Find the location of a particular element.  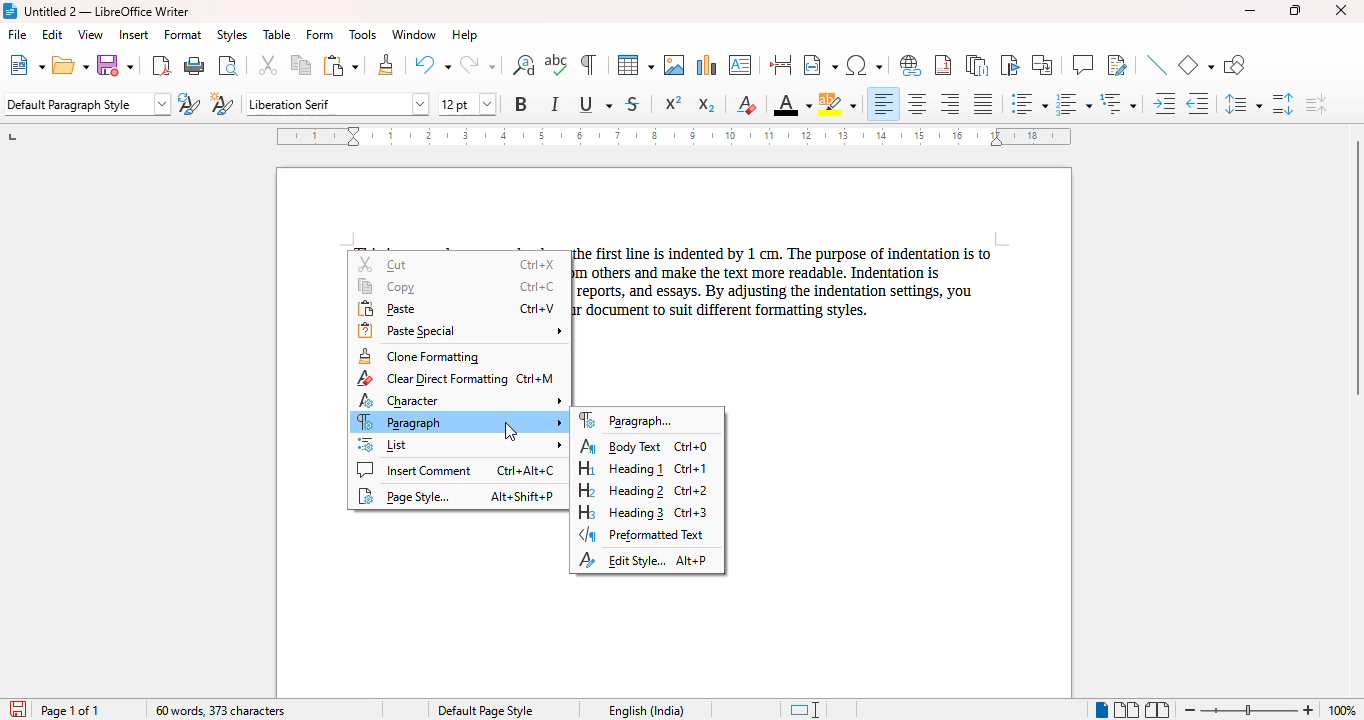

toggle ordered list is located at coordinates (1074, 103).